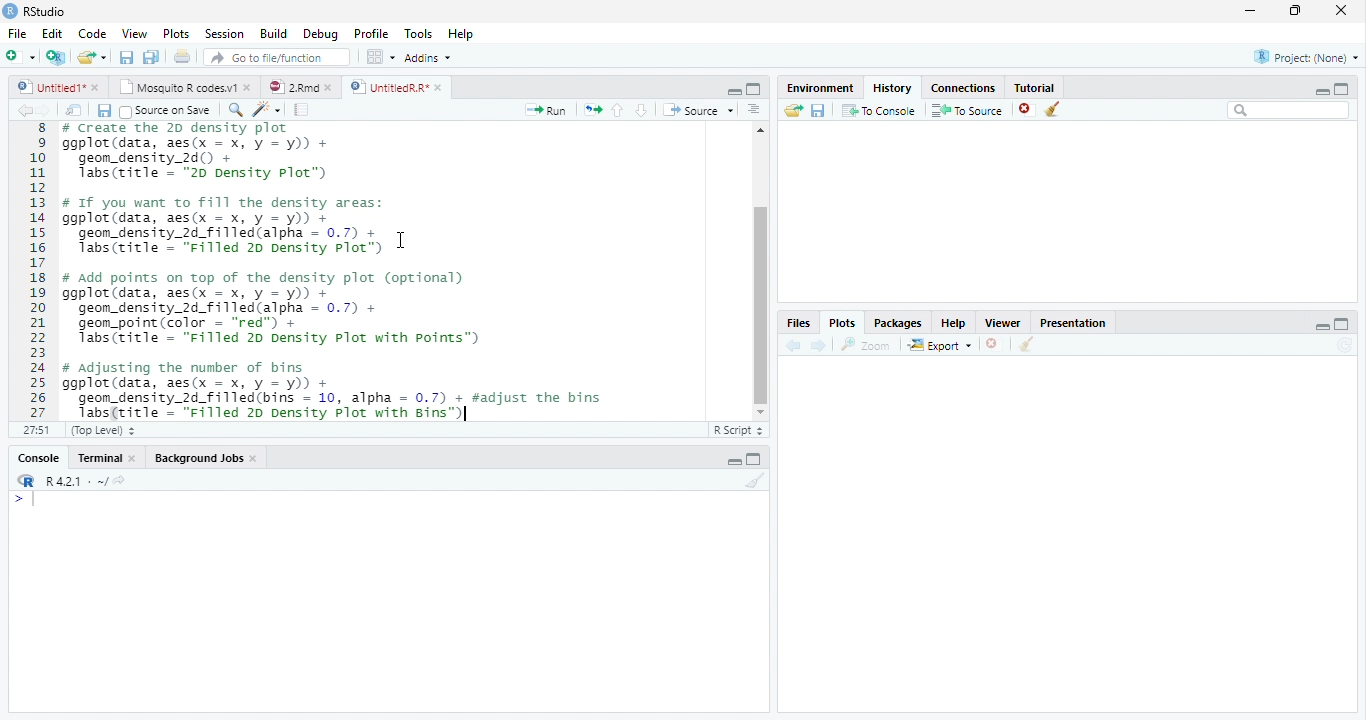 The image size is (1366, 720). Describe the element at coordinates (52, 34) in the screenshot. I see `Edit` at that location.